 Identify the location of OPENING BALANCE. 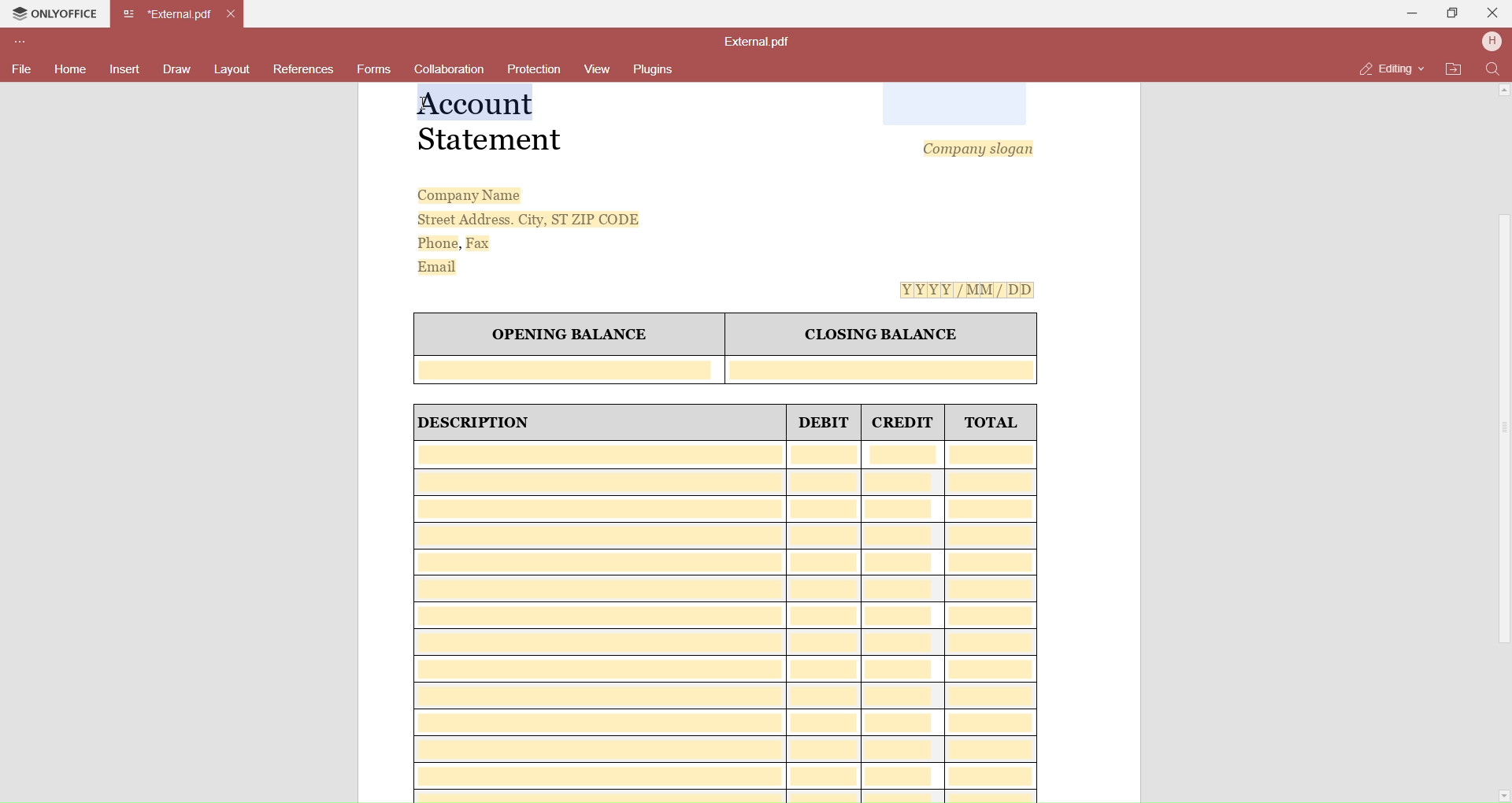
(569, 335).